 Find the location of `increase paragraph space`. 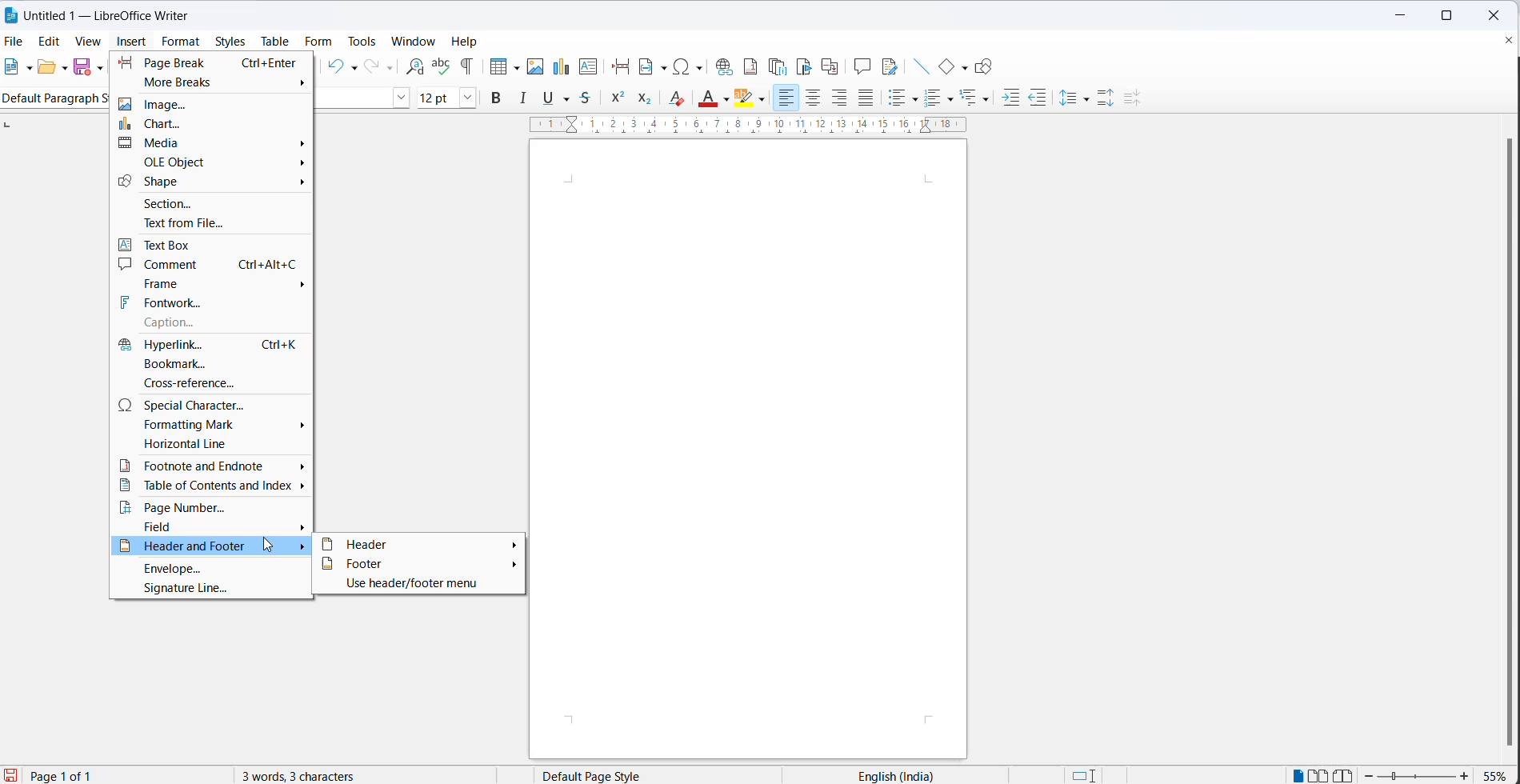

increase paragraph space is located at coordinates (1106, 96).